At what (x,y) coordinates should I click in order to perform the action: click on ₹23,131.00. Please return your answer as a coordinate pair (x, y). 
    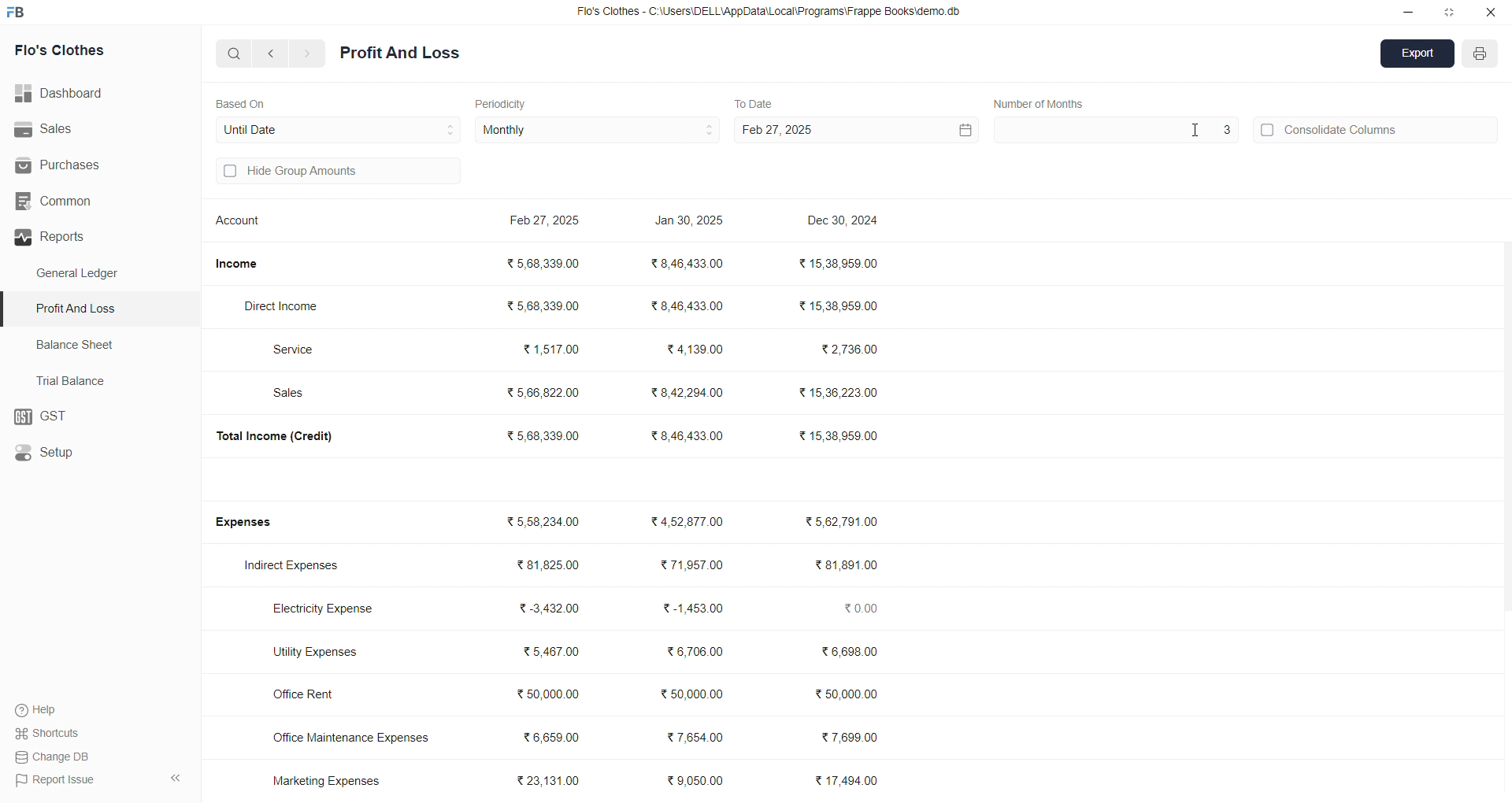
    Looking at the image, I should click on (552, 779).